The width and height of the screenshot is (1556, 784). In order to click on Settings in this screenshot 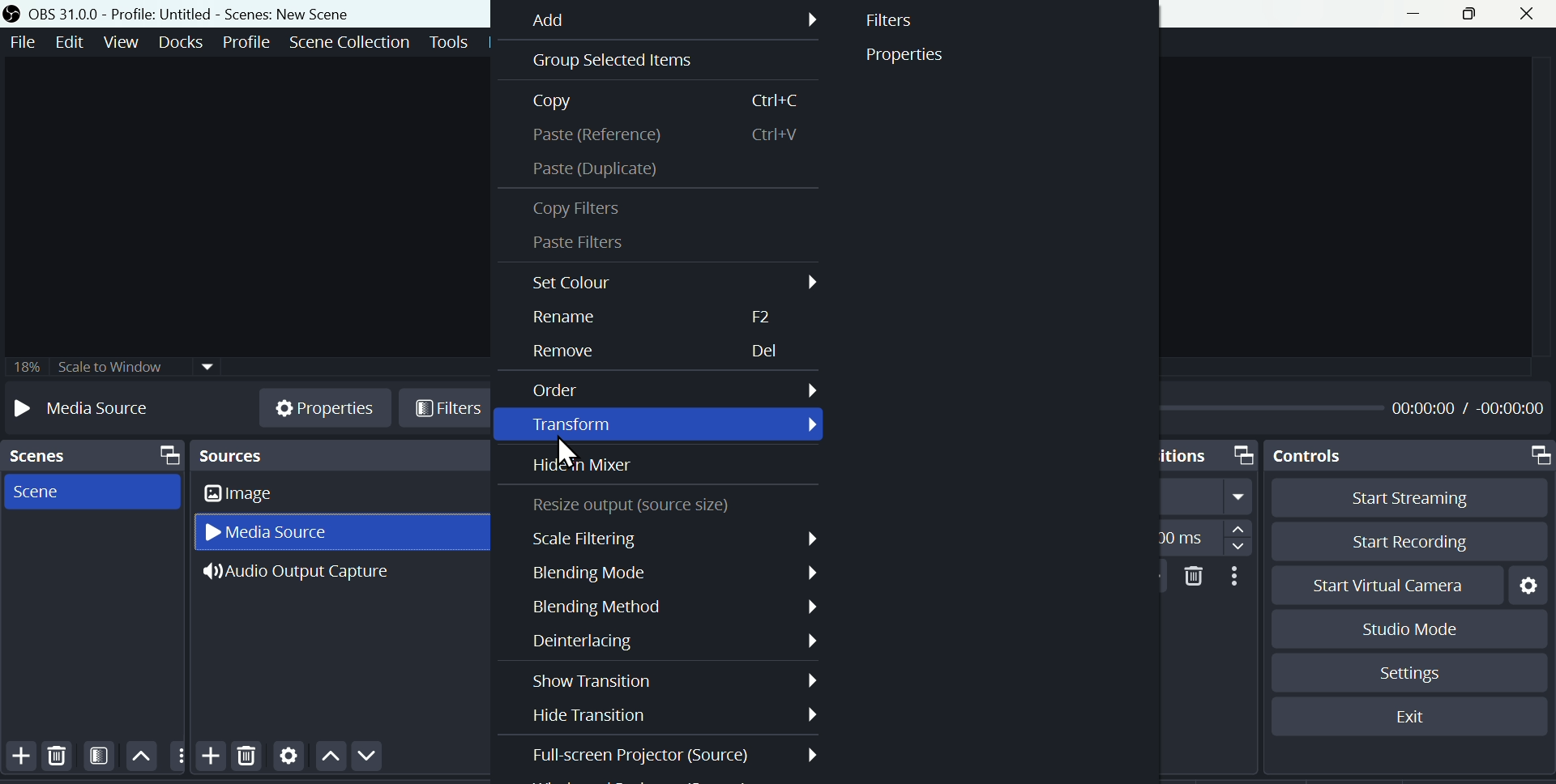, I will do `click(1411, 673)`.